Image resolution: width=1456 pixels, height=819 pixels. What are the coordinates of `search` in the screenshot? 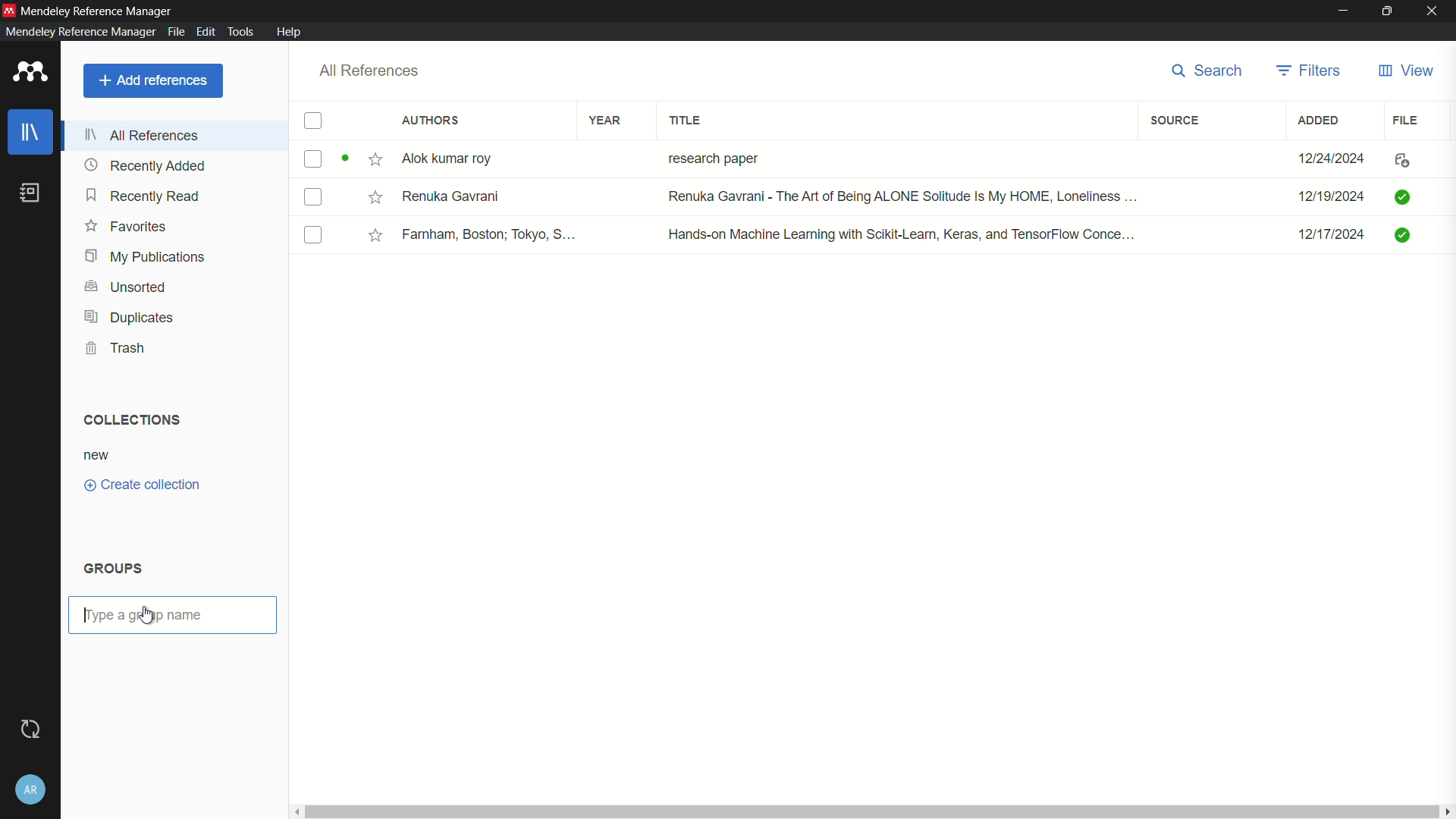 It's located at (1202, 71).